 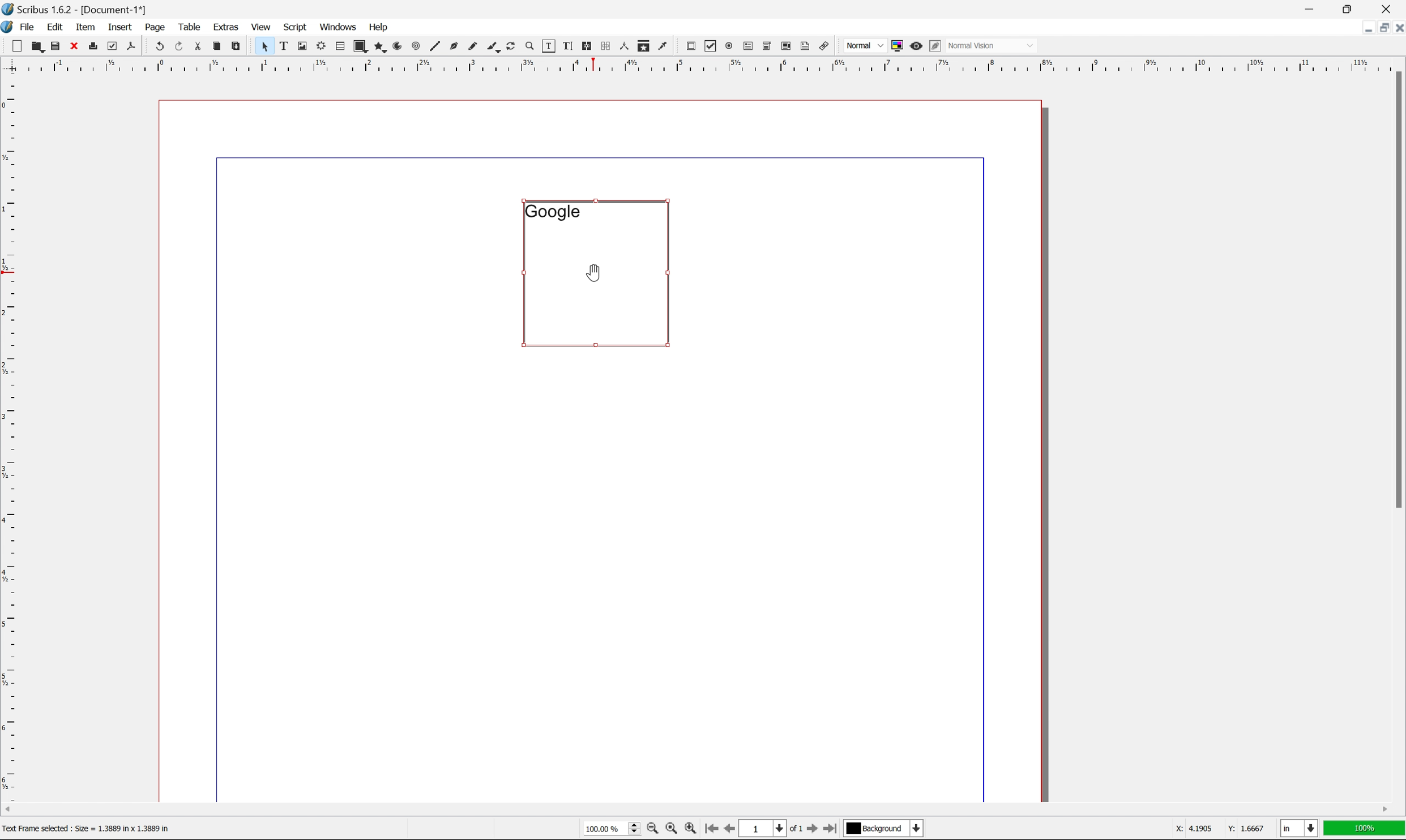 I want to click on minimize, so click(x=1361, y=27).